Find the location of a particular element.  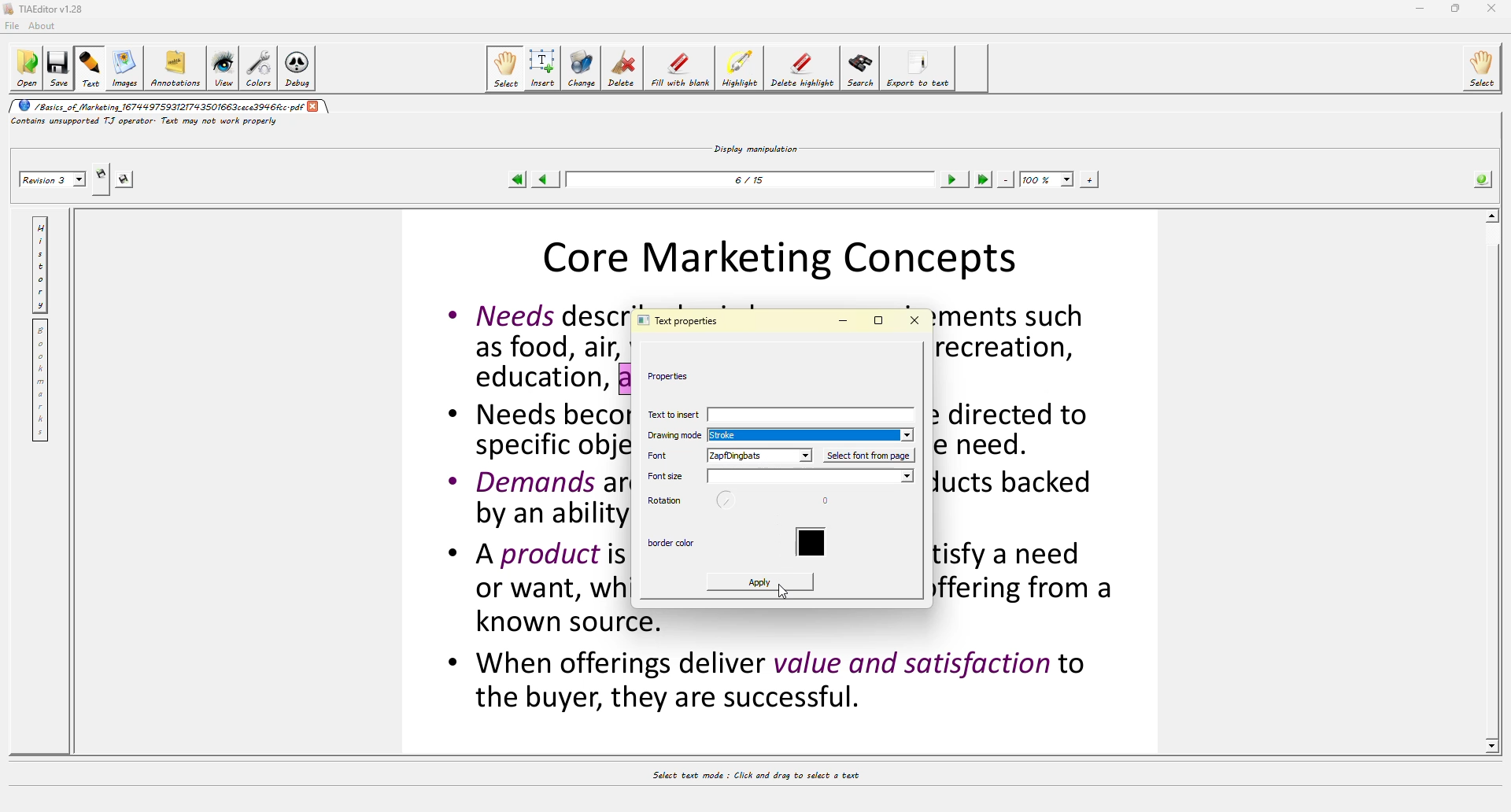

images is located at coordinates (127, 69).